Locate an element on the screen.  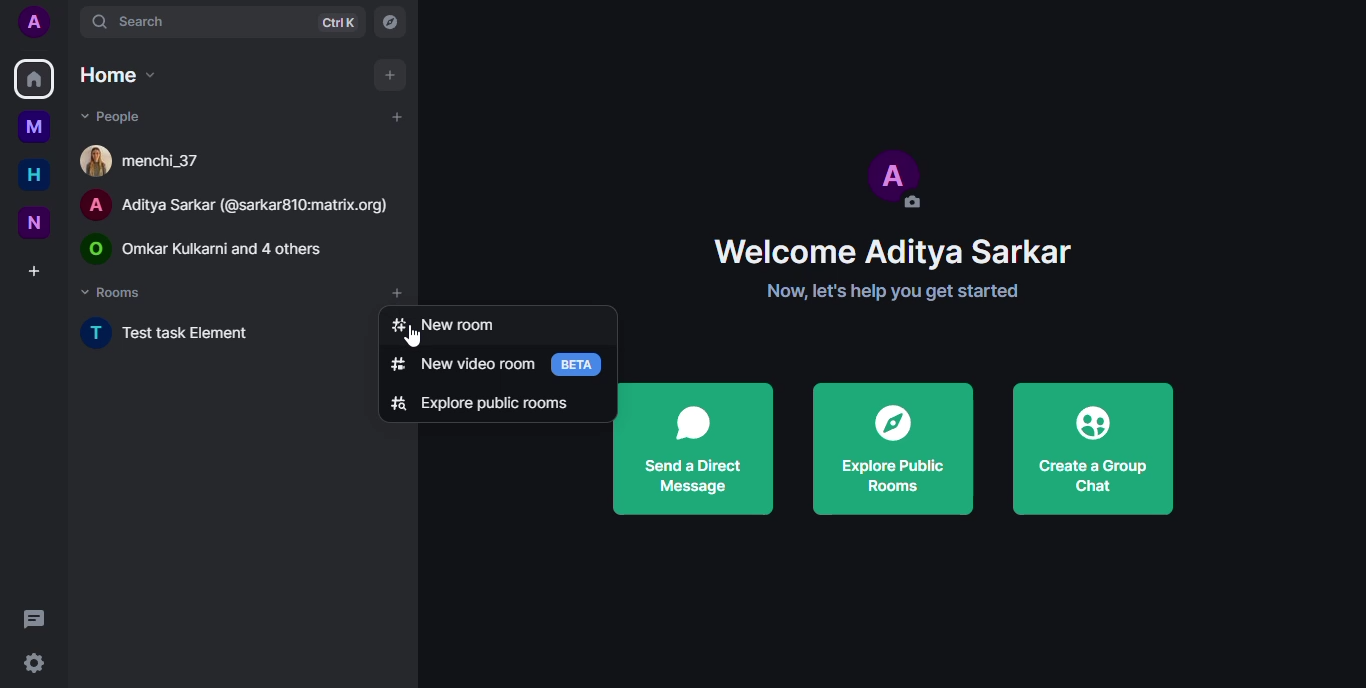
© Omar Kulkarni and 4 others is located at coordinates (219, 248).